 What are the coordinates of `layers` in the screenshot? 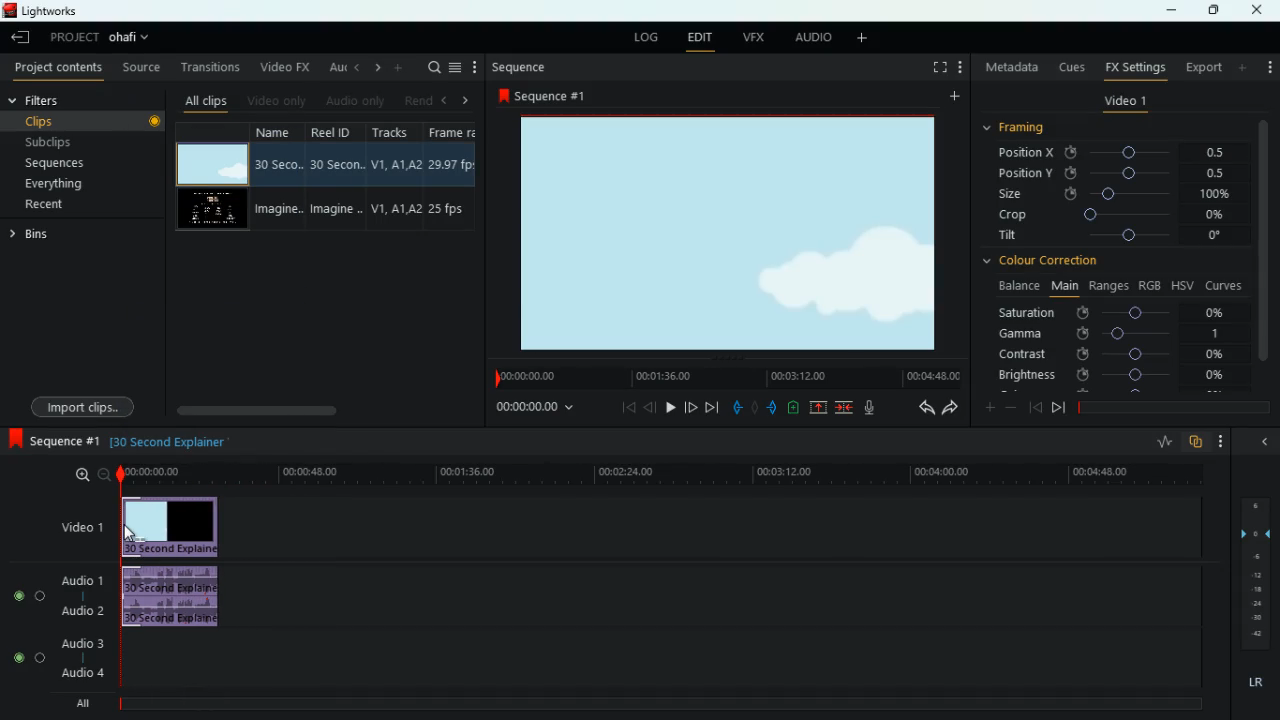 It's located at (1252, 576).